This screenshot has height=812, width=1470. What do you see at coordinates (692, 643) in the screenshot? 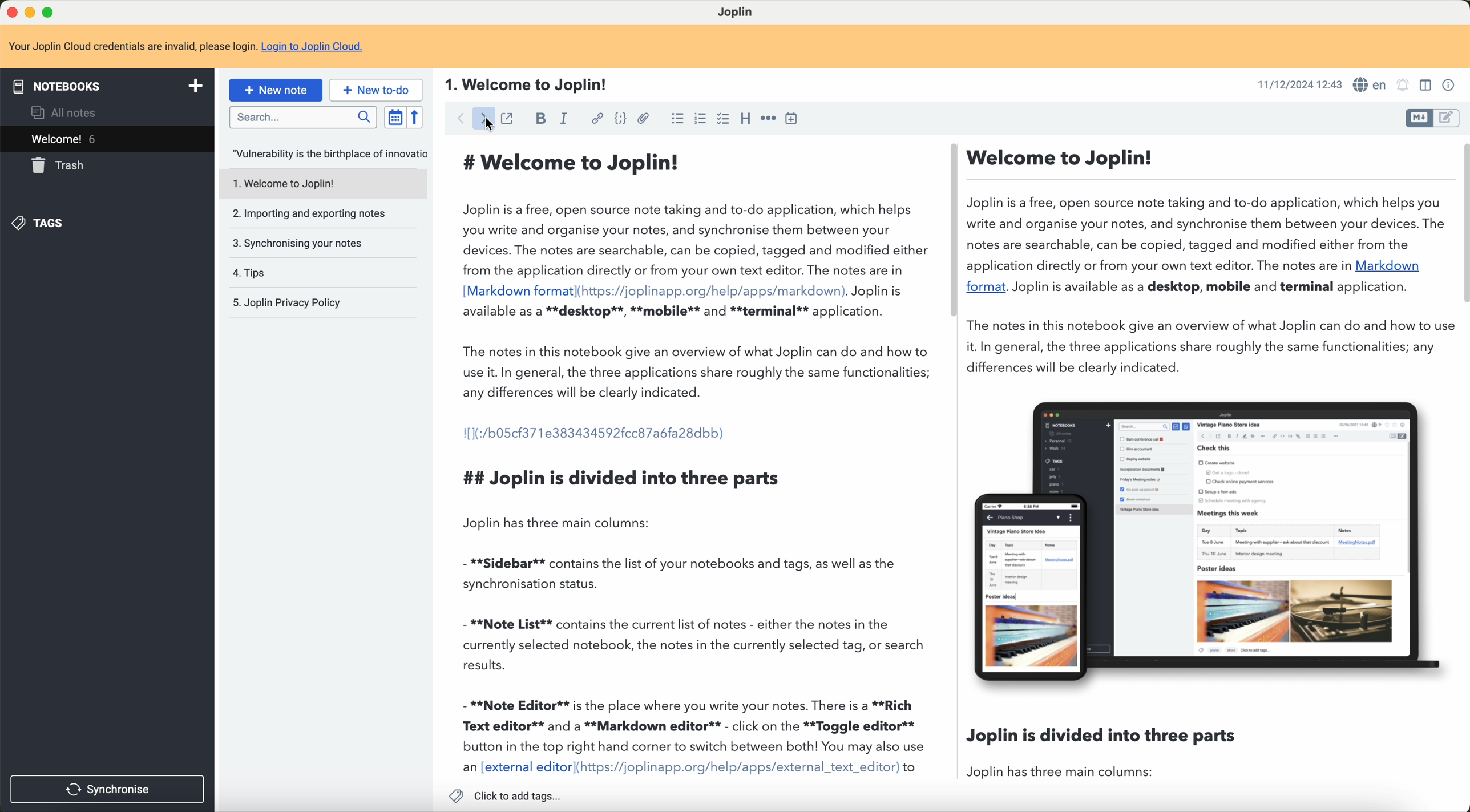
I see `- **Note List** contains the current list of notes - either the notes in the
currently selected notebook, the notes in the currently selected tag, or search
results.` at bounding box center [692, 643].